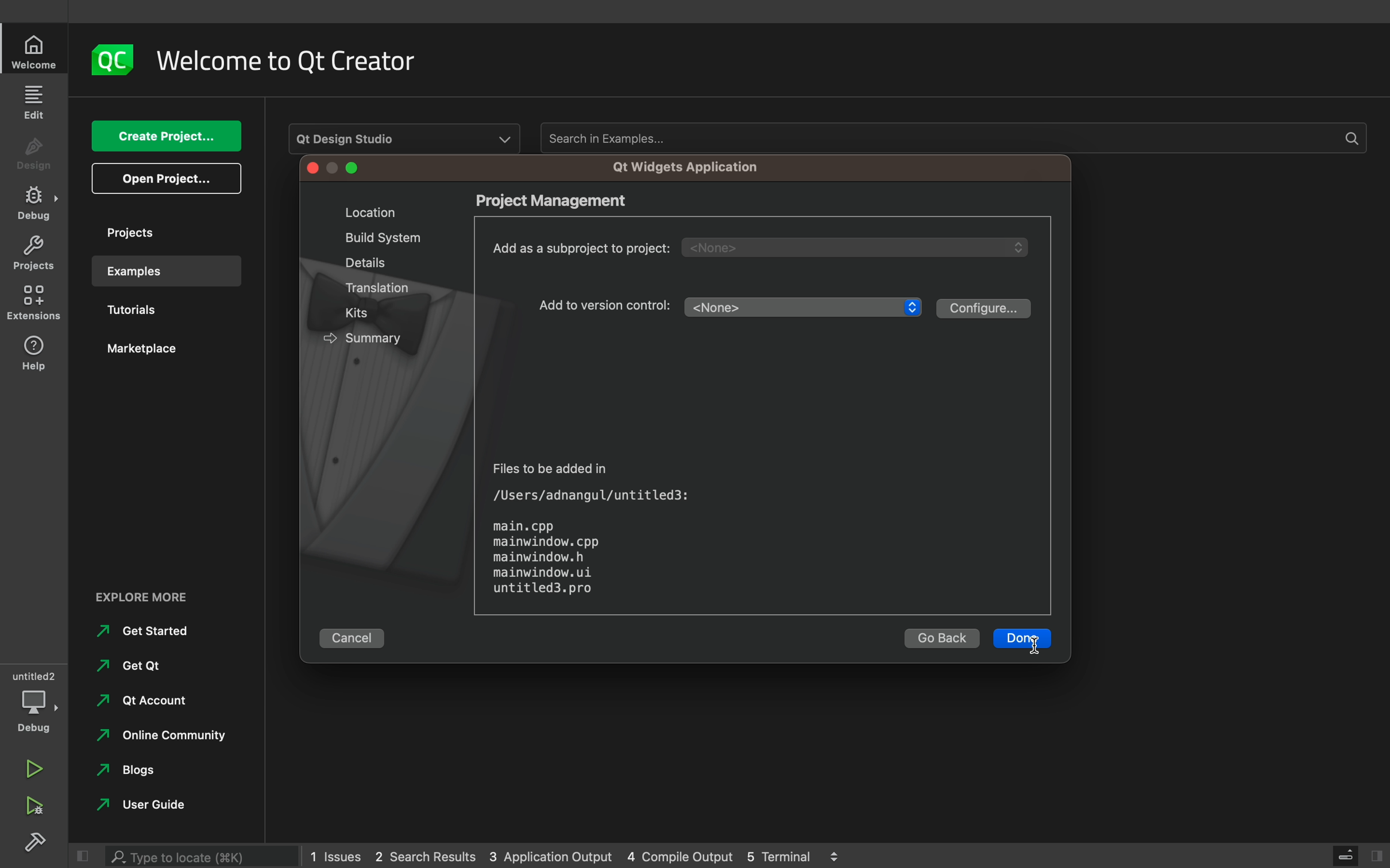 This screenshot has height=868, width=1390. What do you see at coordinates (361, 336) in the screenshot?
I see `summary tab` at bounding box center [361, 336].